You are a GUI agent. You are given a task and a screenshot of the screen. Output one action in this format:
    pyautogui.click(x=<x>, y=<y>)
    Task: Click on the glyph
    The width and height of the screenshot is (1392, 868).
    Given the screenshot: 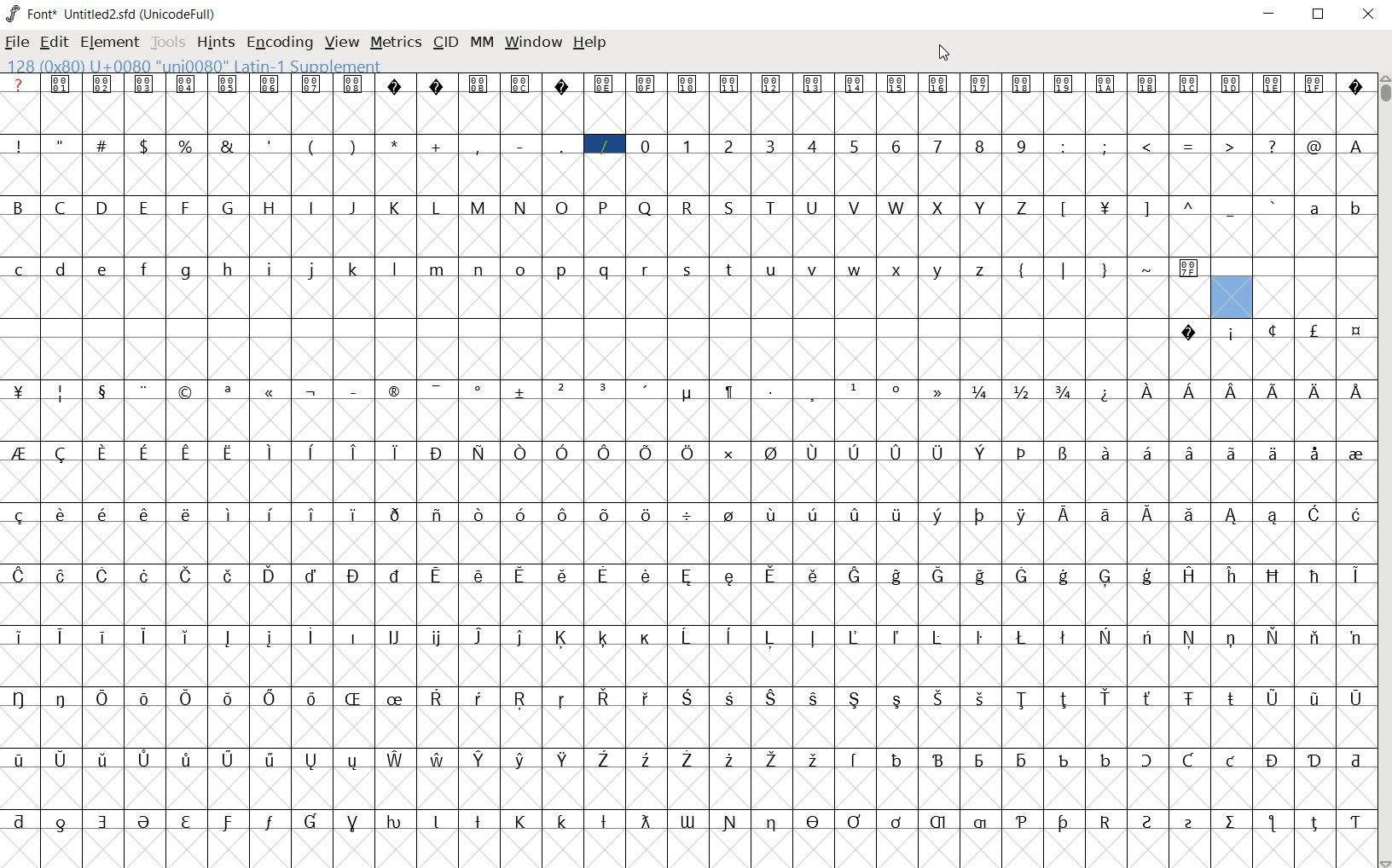 What is the action you would take?
    pyautogui.click(x=437, y=516)
    